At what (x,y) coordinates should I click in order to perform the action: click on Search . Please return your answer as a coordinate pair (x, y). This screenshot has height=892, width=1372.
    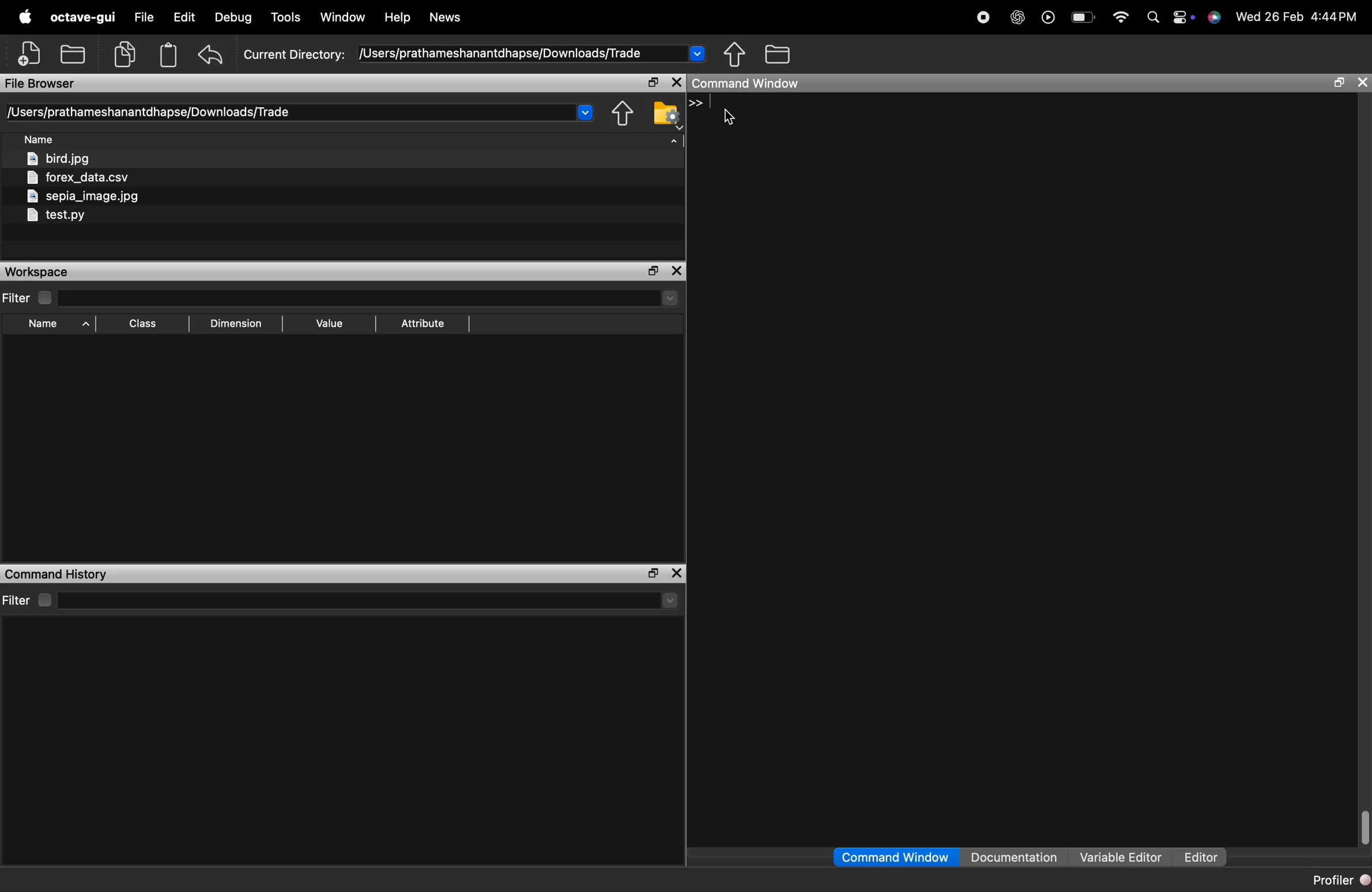
    Looking at the image, I should click on (1154, 18).